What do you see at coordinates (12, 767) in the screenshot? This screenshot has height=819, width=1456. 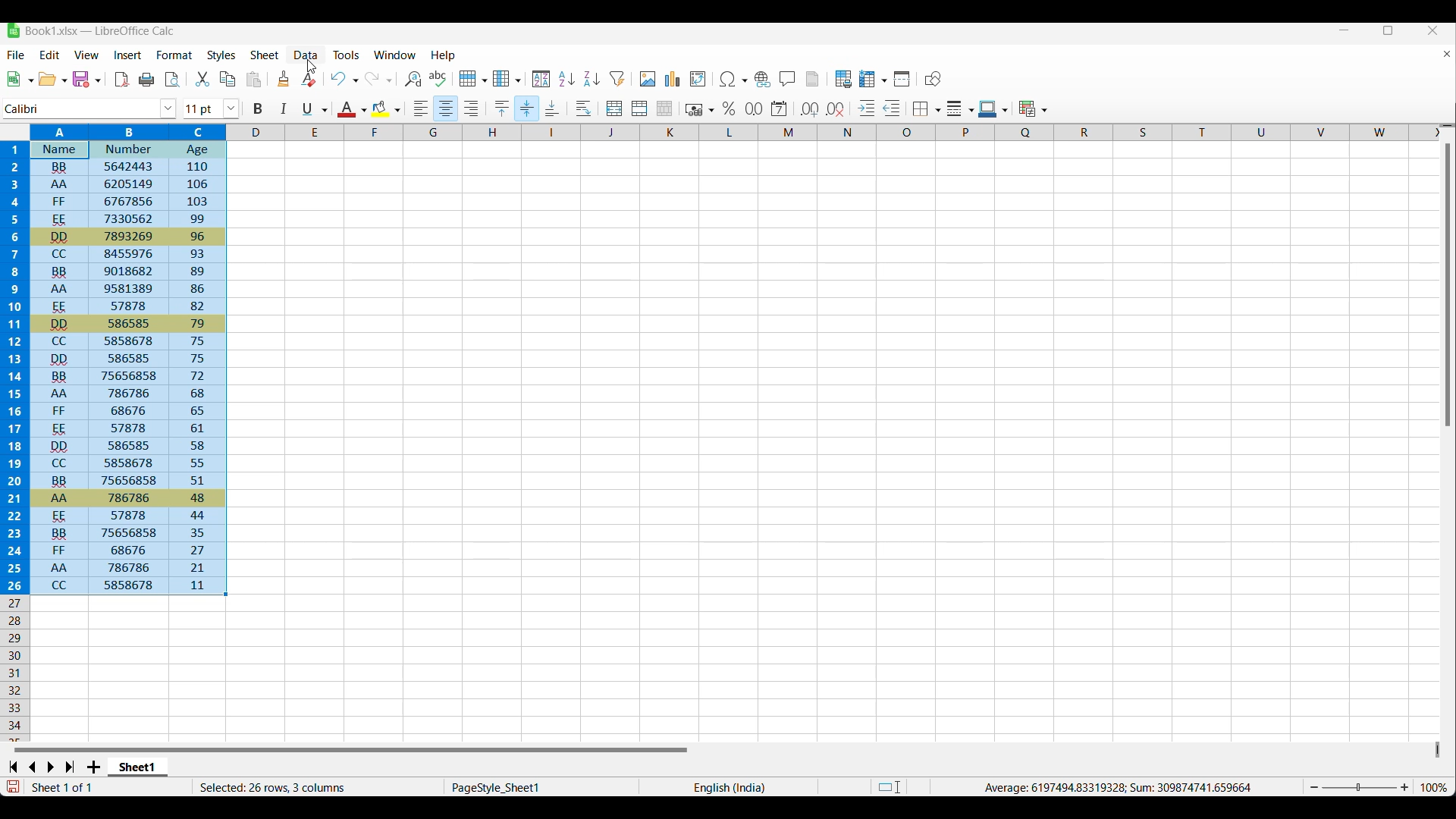 I see `Go to first sheet` at bounding box center [12, 767].